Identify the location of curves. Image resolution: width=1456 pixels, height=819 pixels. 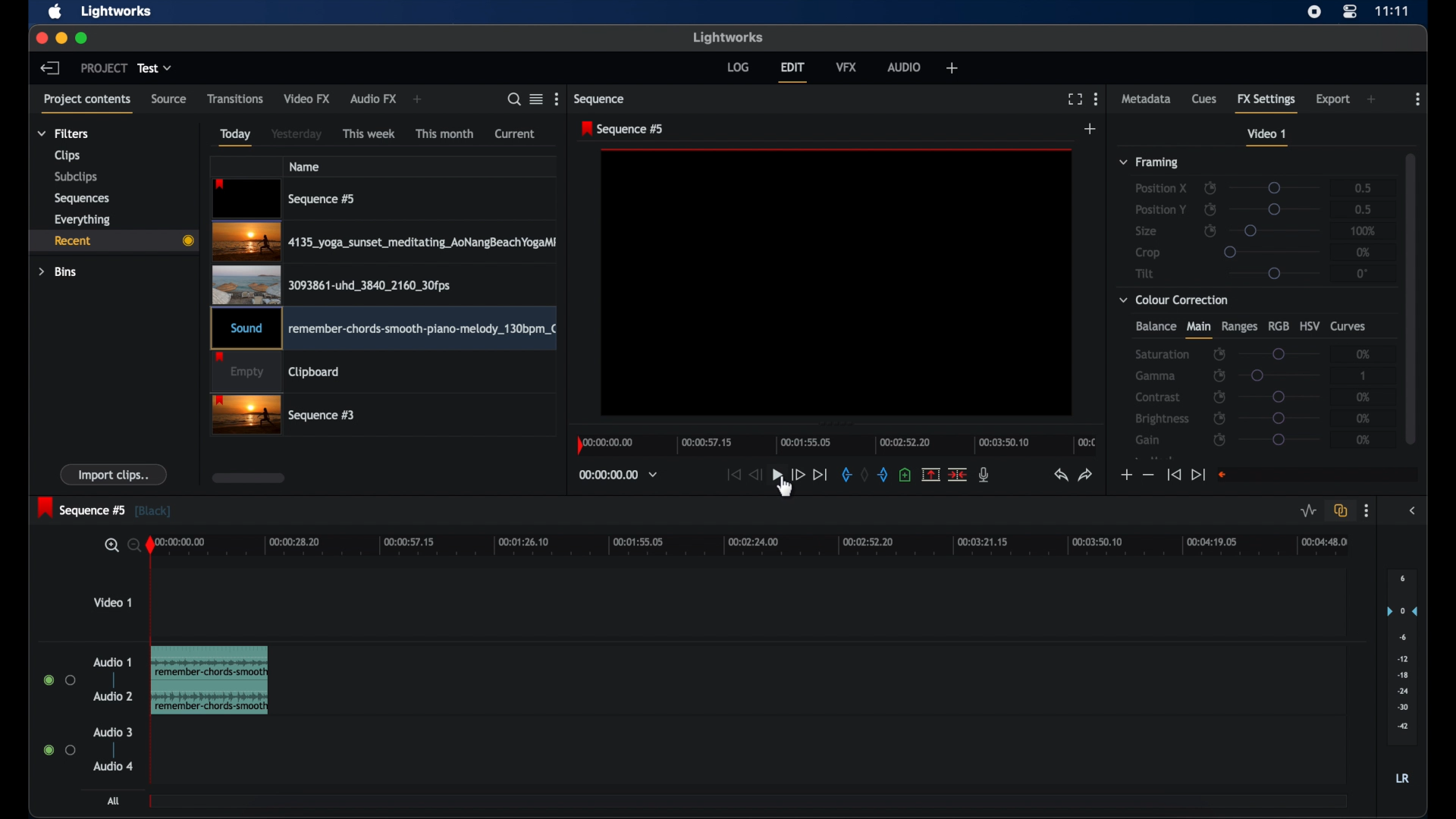
(1351, 327).